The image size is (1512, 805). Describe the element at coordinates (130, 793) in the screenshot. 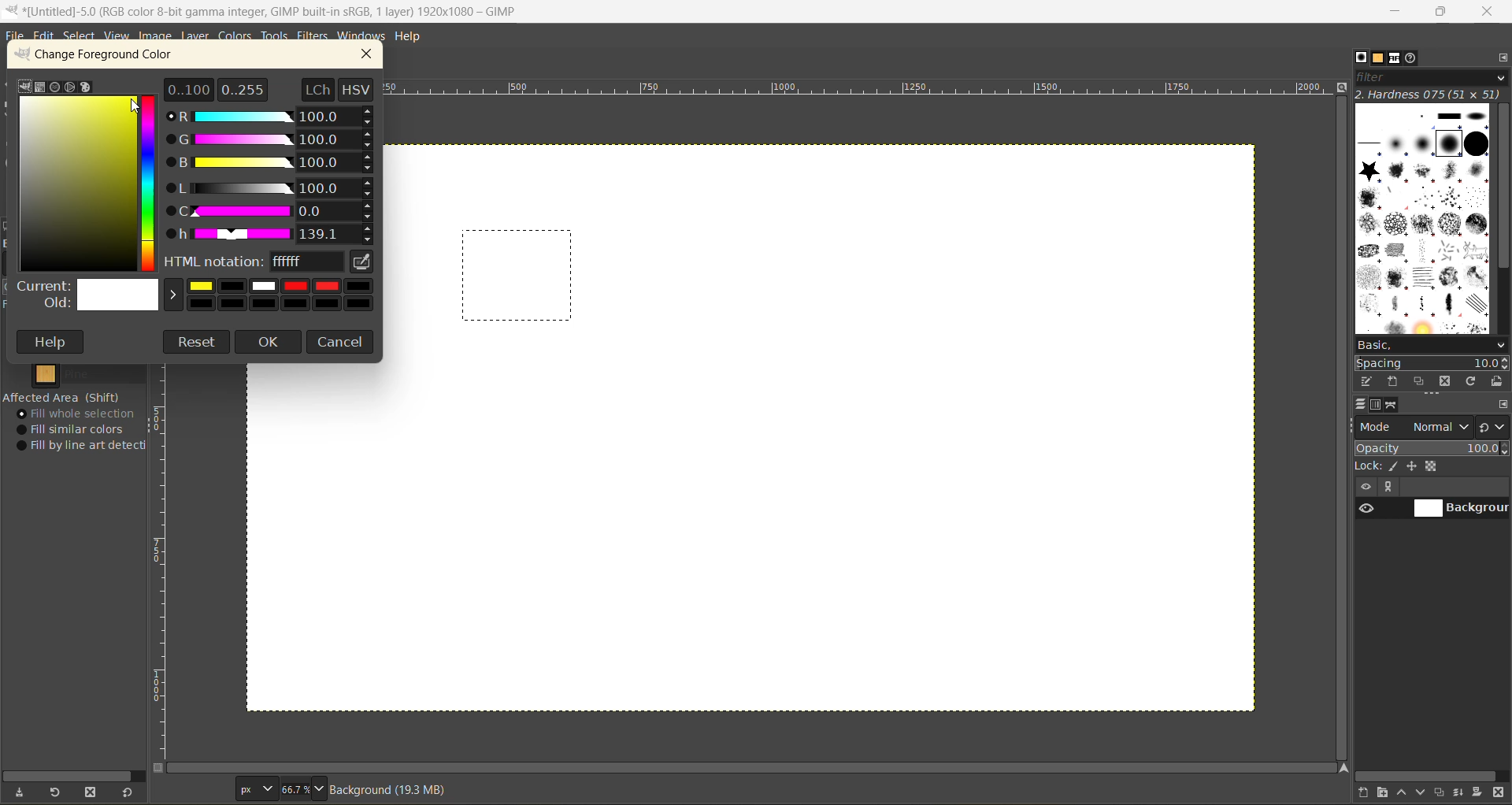

I see `reset to default values` at that location.